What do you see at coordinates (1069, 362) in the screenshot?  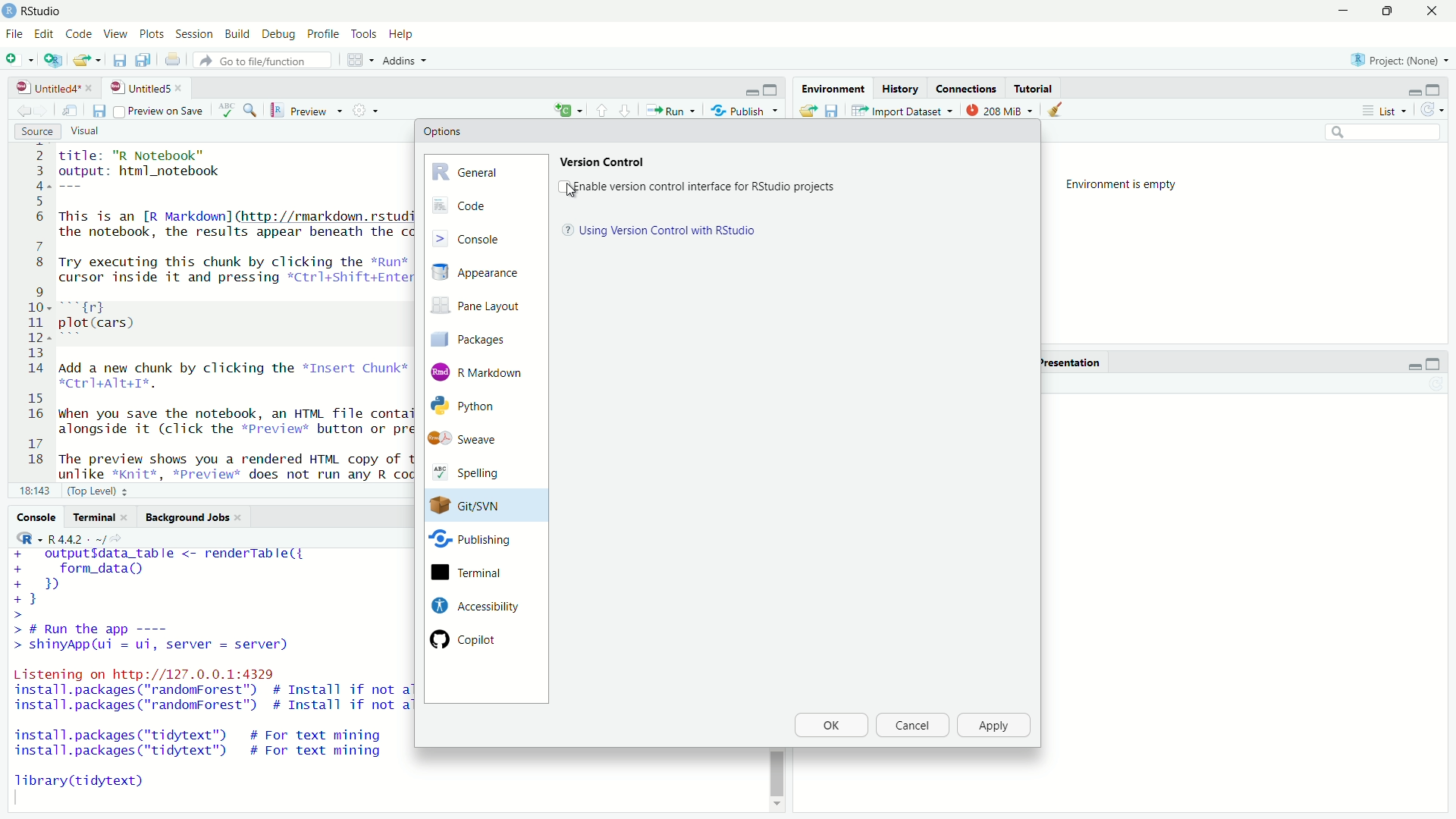 I see `Presentation` at bounding box center [1069, 362].